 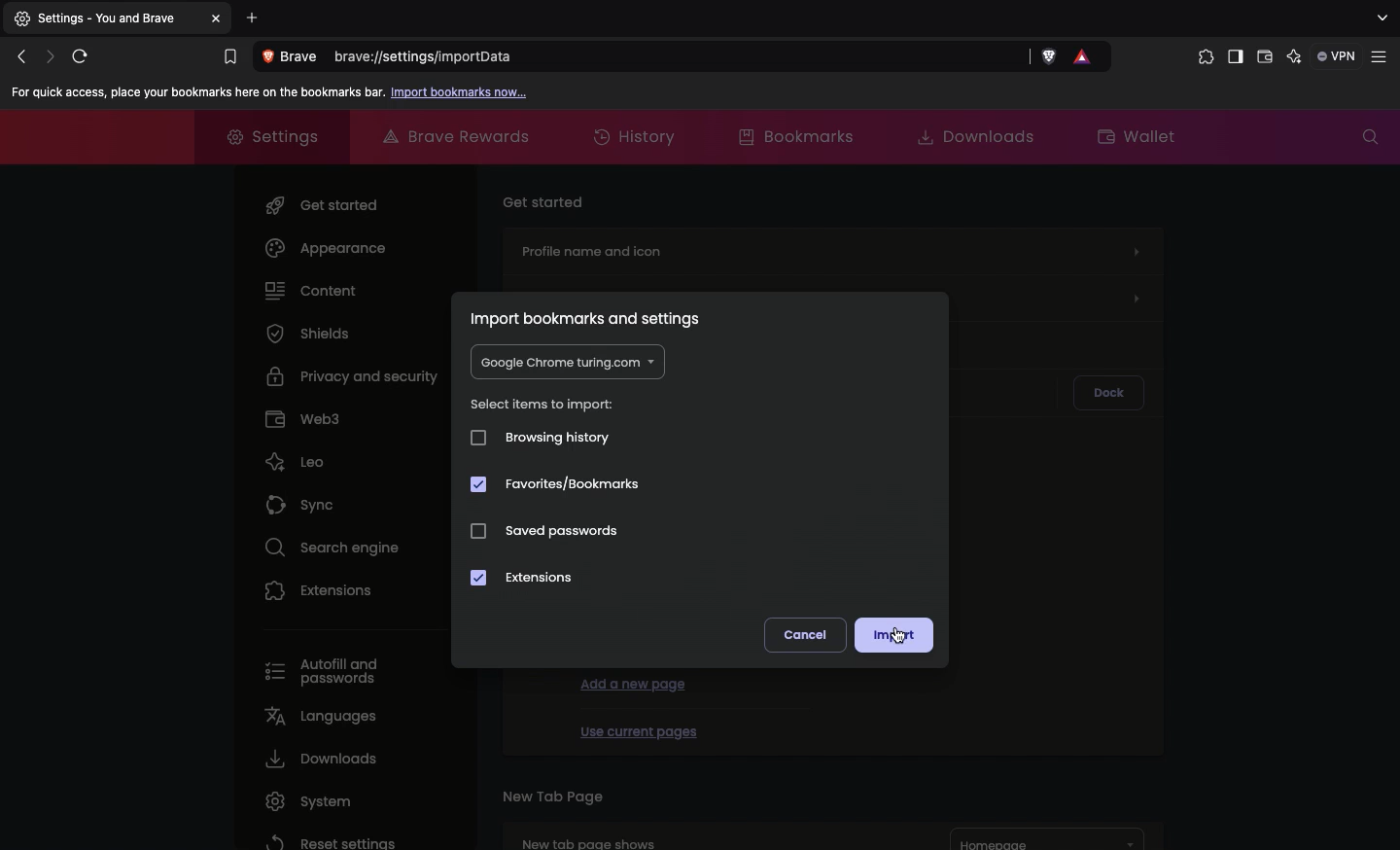 What do you see at coordinates (461, 93) in the screenshot?
I see `Import bookmarks now` at bounding box center [461, 93].